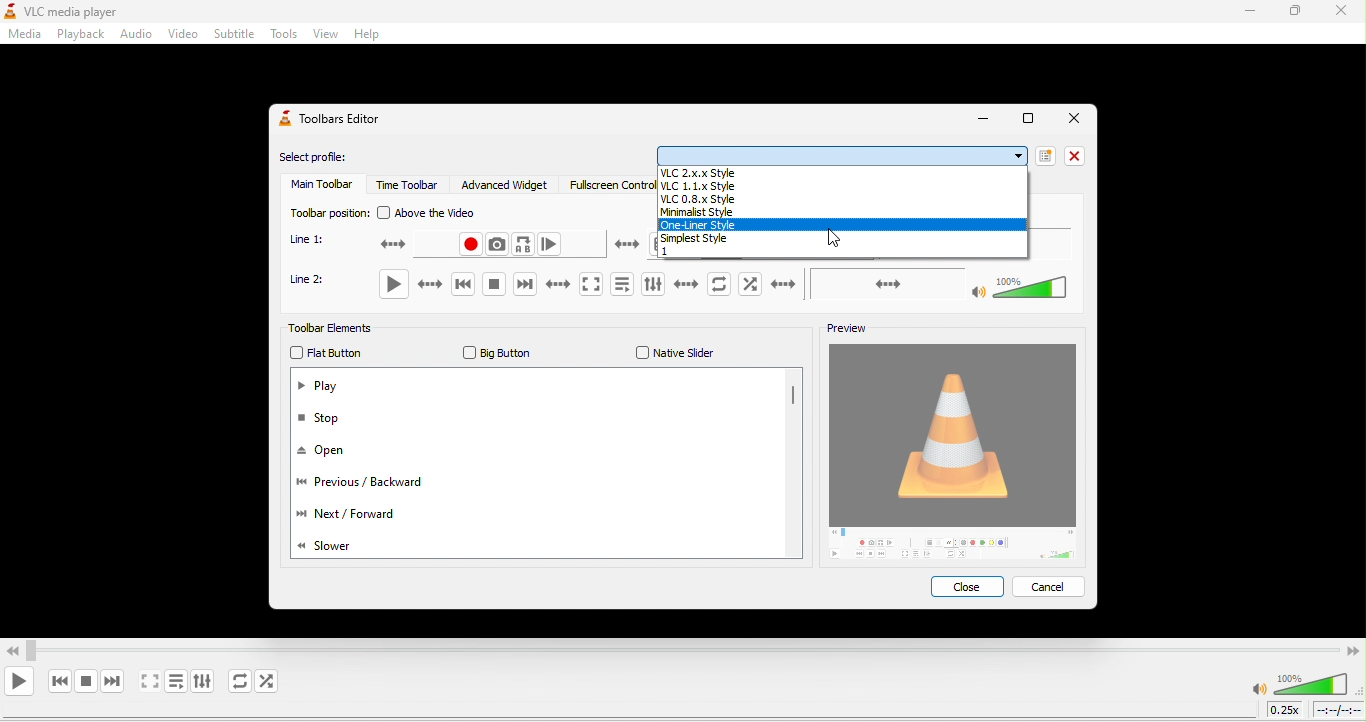  Describe the element at coordinates (184, 34) in the screenshot. I see `video` at that location.